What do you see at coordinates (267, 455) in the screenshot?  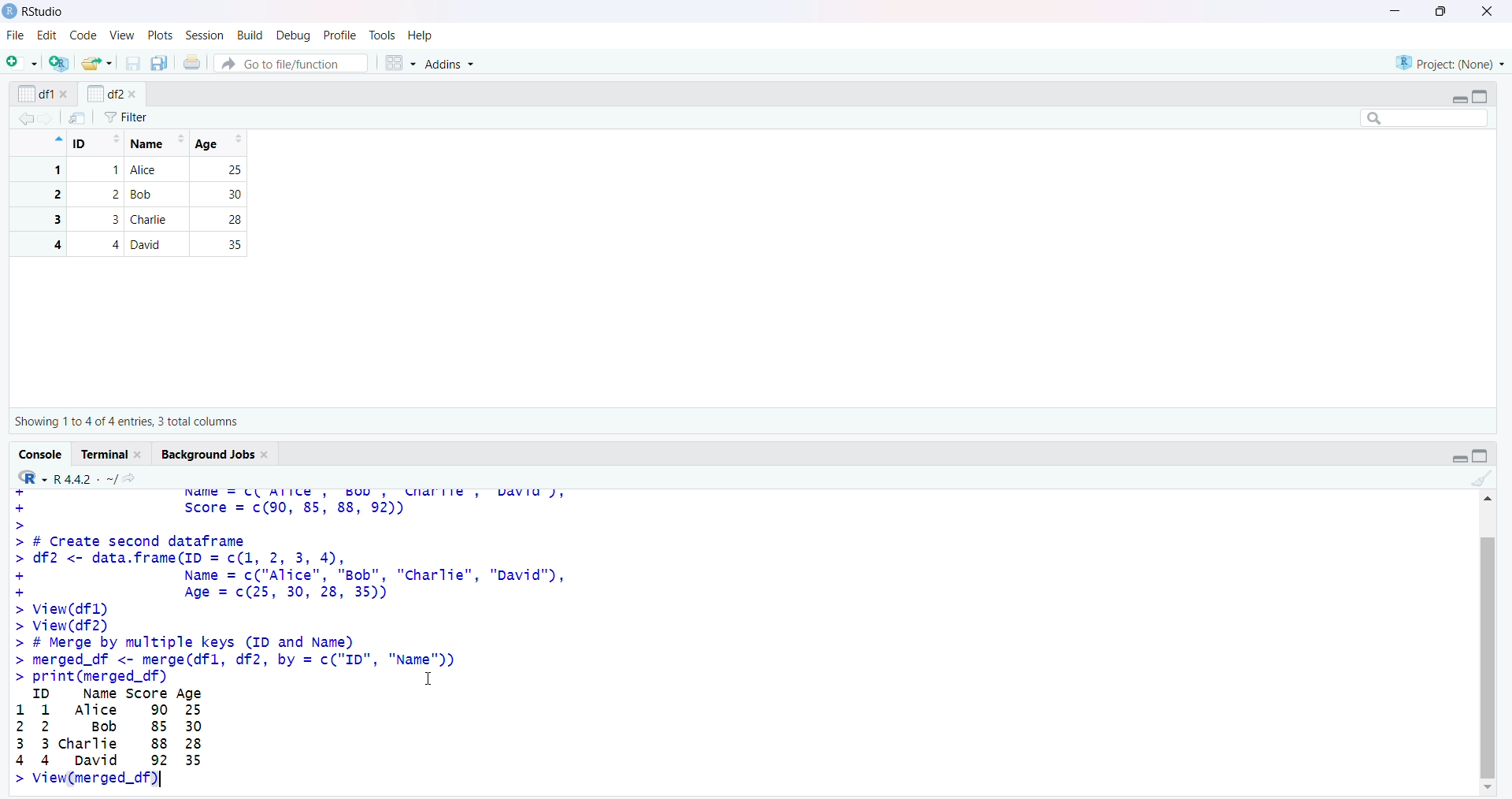 I see `close` at bounding box center [267, 455].